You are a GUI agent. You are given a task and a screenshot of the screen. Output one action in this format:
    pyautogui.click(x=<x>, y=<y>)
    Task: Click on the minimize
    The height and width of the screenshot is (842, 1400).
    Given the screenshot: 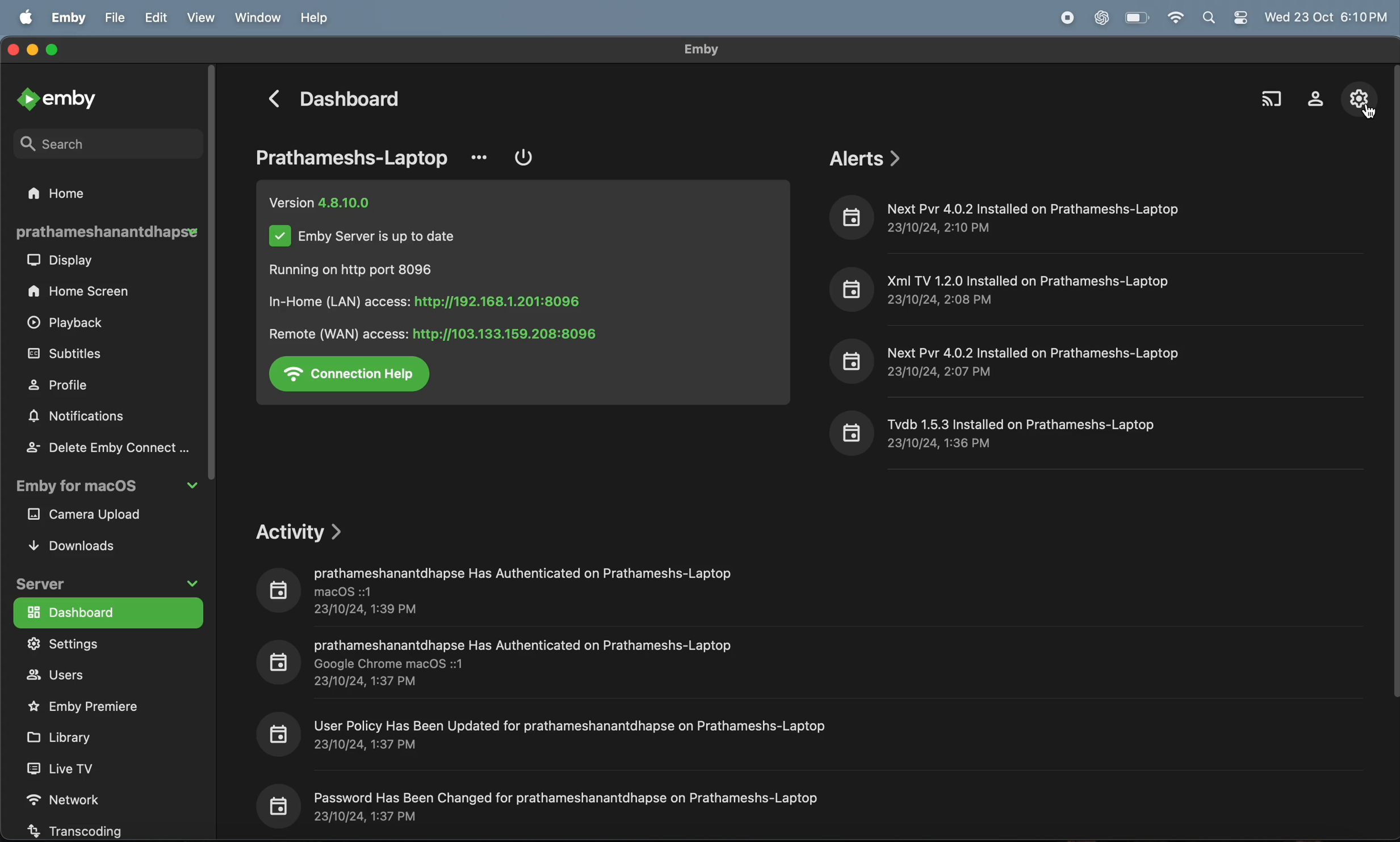 What is the action you would take?
    pyautogui.click(x=33, y=49)
    